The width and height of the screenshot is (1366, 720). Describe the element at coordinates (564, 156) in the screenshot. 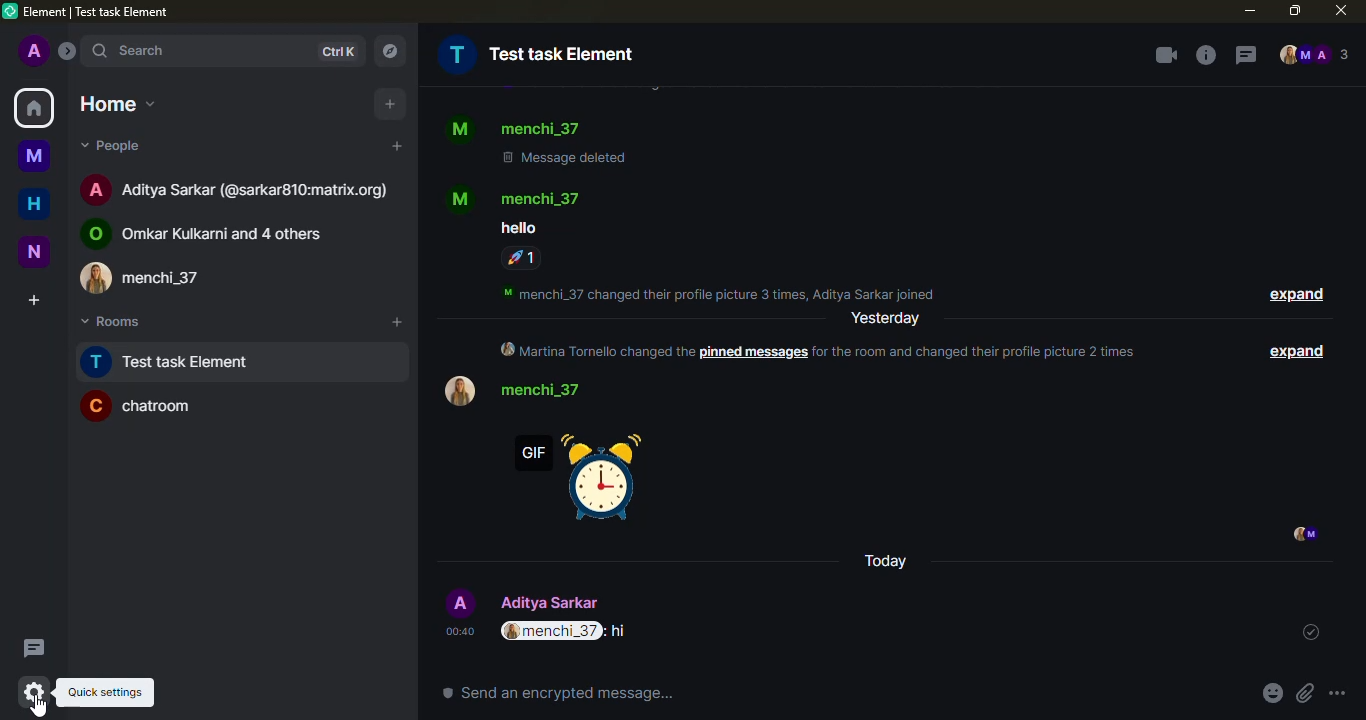

I see `message deleted` at that location.